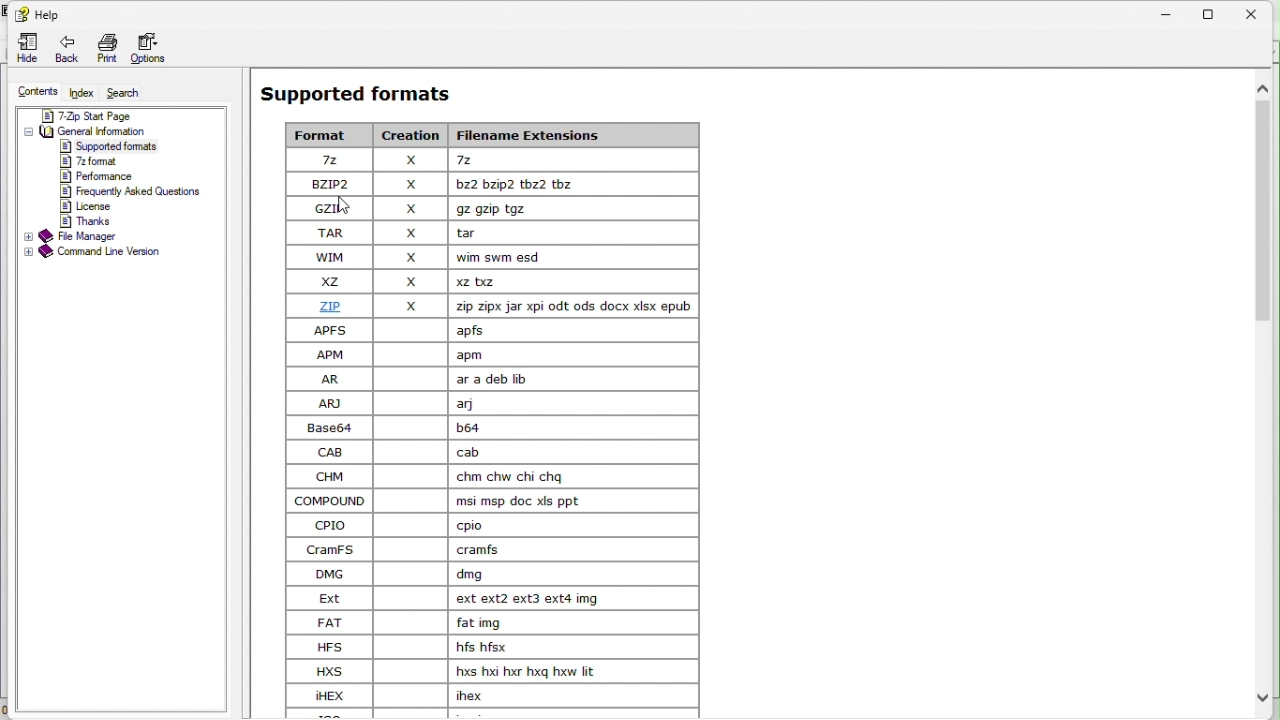 The width and height of the screenshot is (1280, 720). I want to click on supported formats, so click(115, 148).